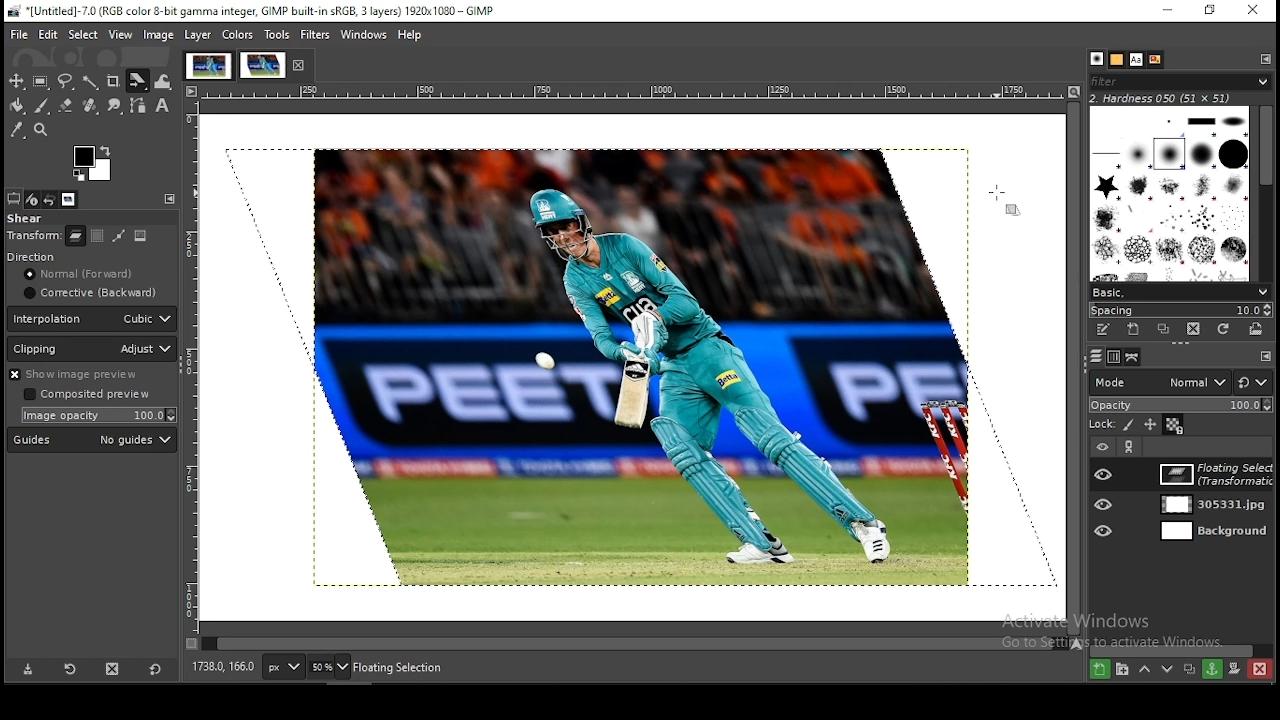 The image size is (1280, 720). What do you see at coordinates (1181, 81) in the screenshot?
I see `filter` at bounding box center [1181, 81].